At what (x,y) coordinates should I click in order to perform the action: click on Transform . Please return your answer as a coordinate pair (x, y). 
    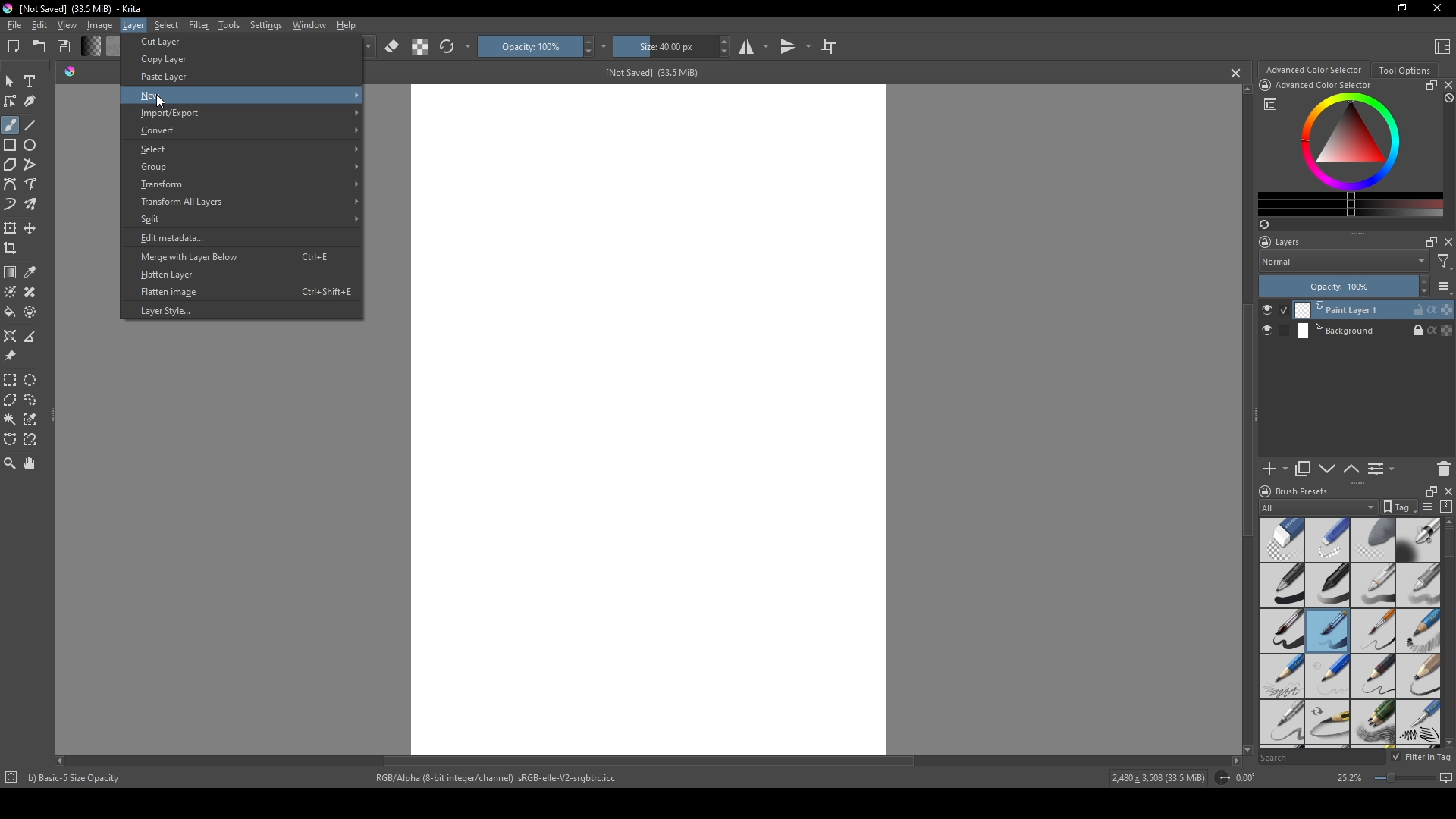
    Looking at the image, I should click on (249, 186).